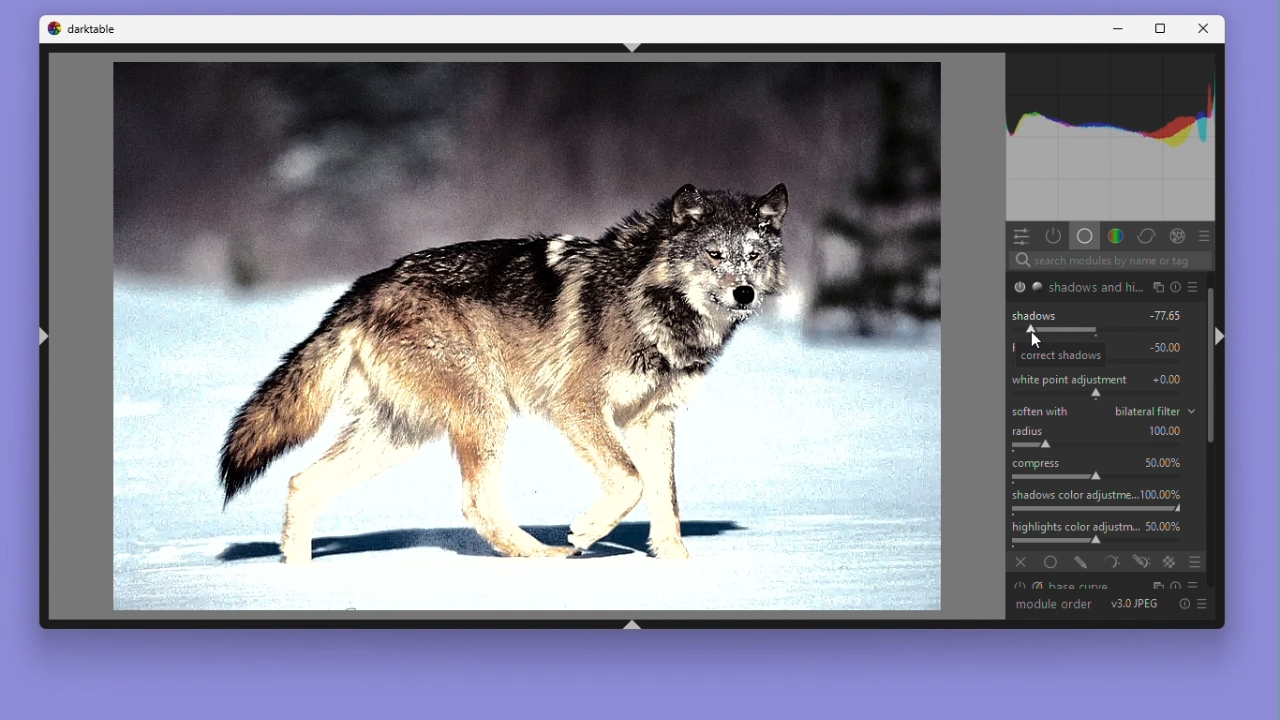 This screenshot has width=1280, height=720. What do you see at coordinates (1160, 586) in the screenshot?
I see `multiple instance actions` at bounding box center [1160, 586].